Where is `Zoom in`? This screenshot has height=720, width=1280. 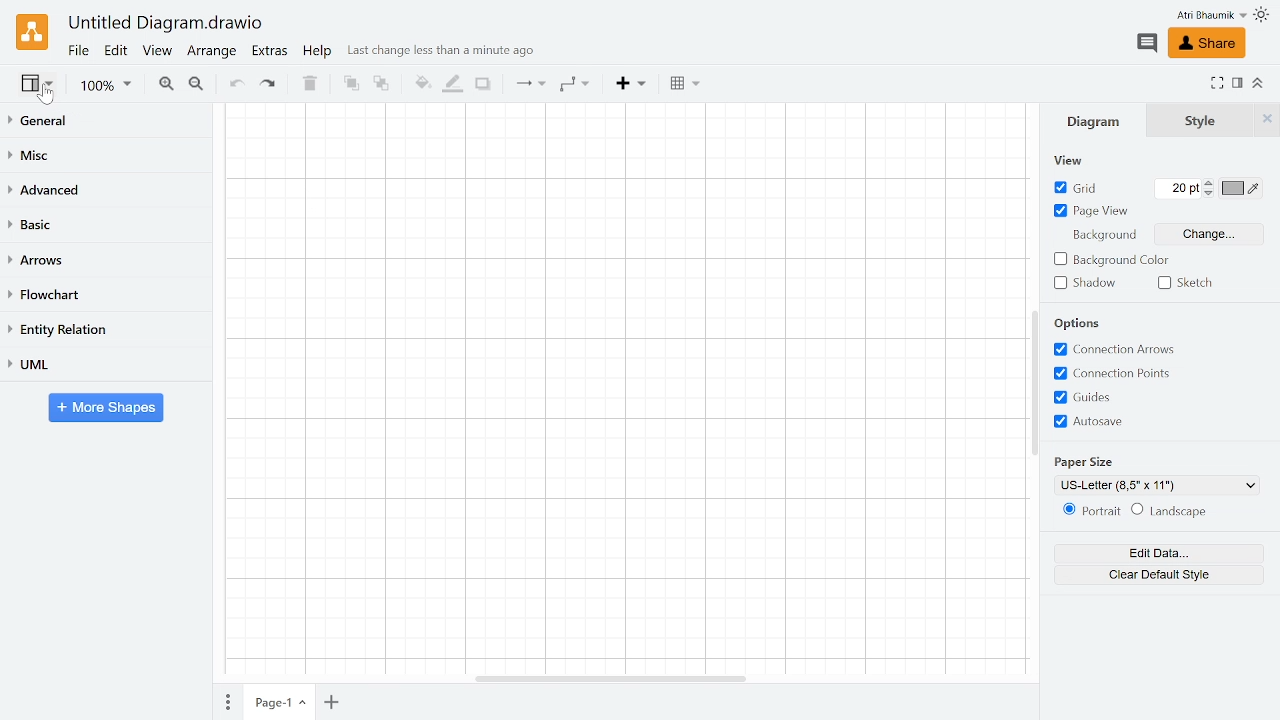
Zoom in is located at coordinates (165, 84).